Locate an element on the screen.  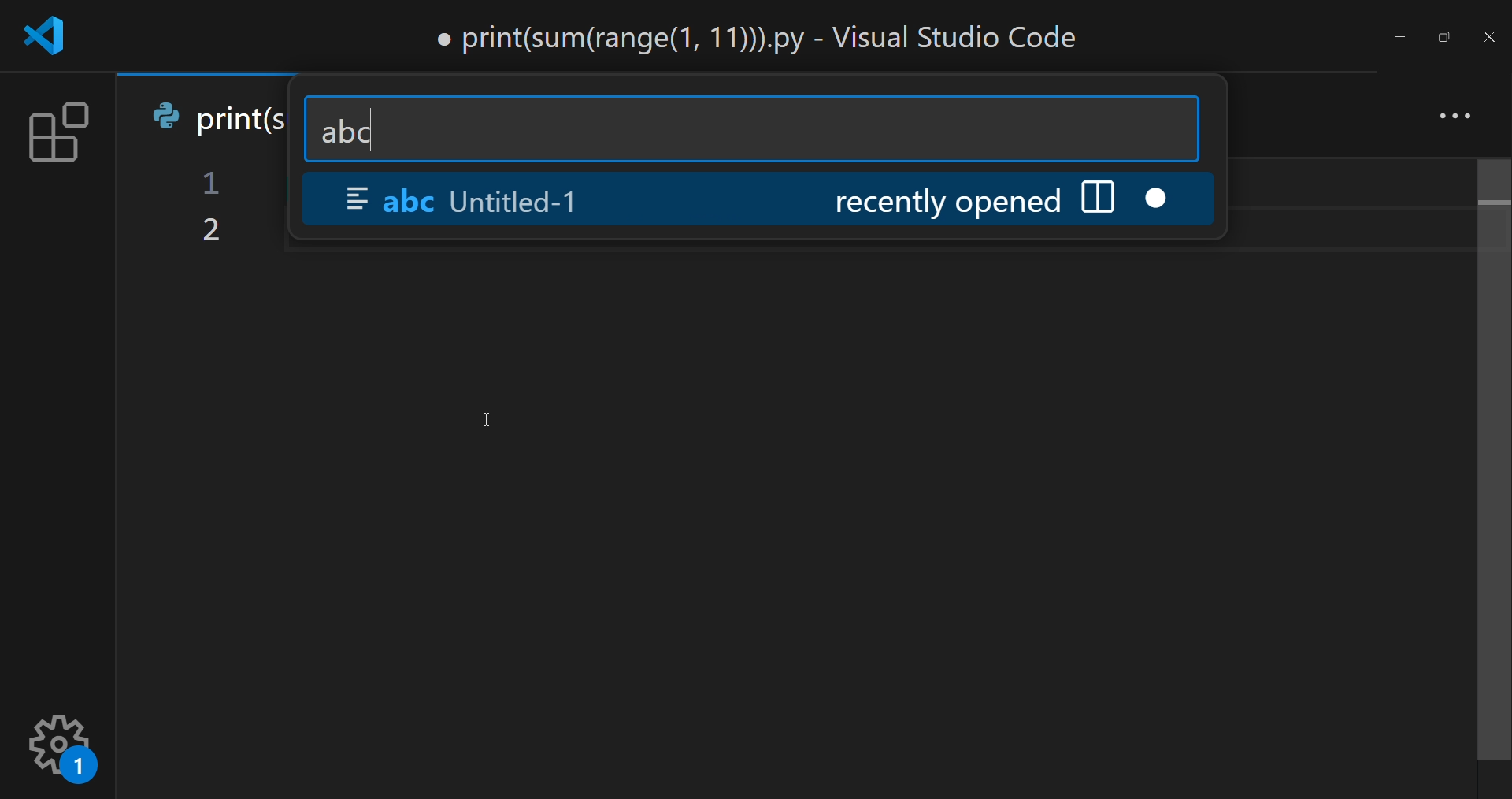
setting  is located at coordinates (59, 742).